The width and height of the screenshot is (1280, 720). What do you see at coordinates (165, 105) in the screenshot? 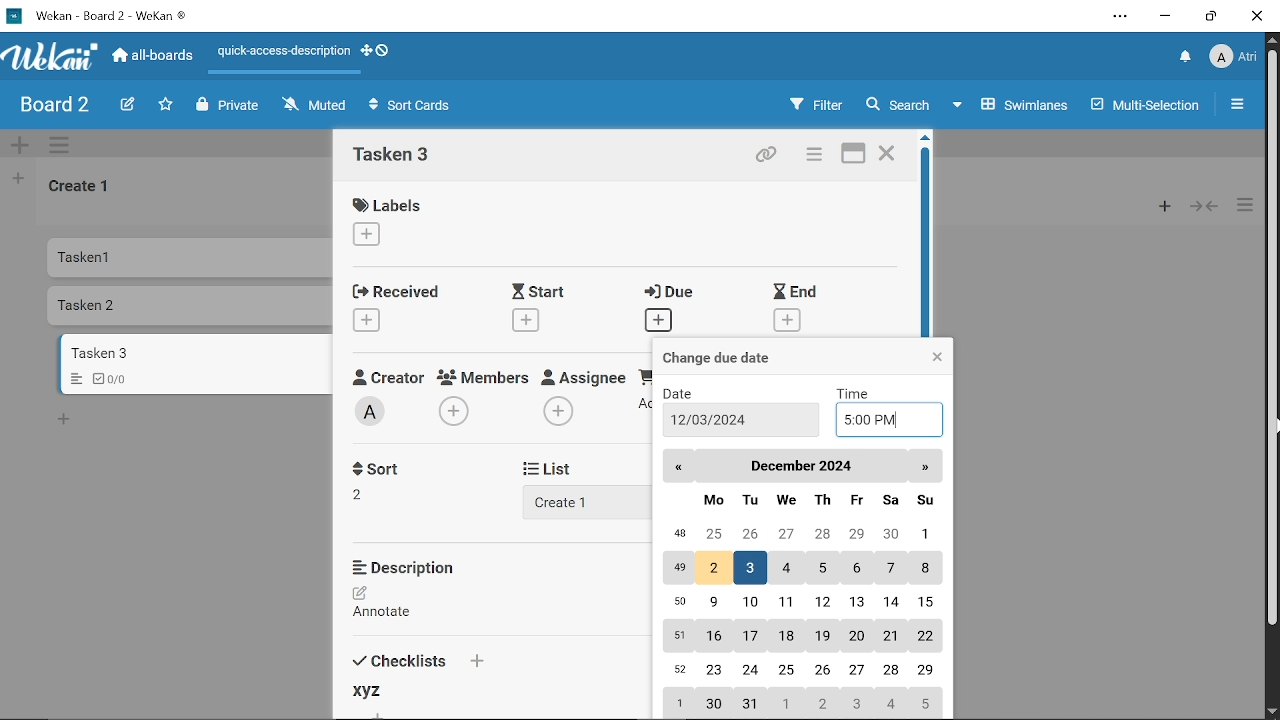
I see `Star this board` at bounding box center [165, 105].